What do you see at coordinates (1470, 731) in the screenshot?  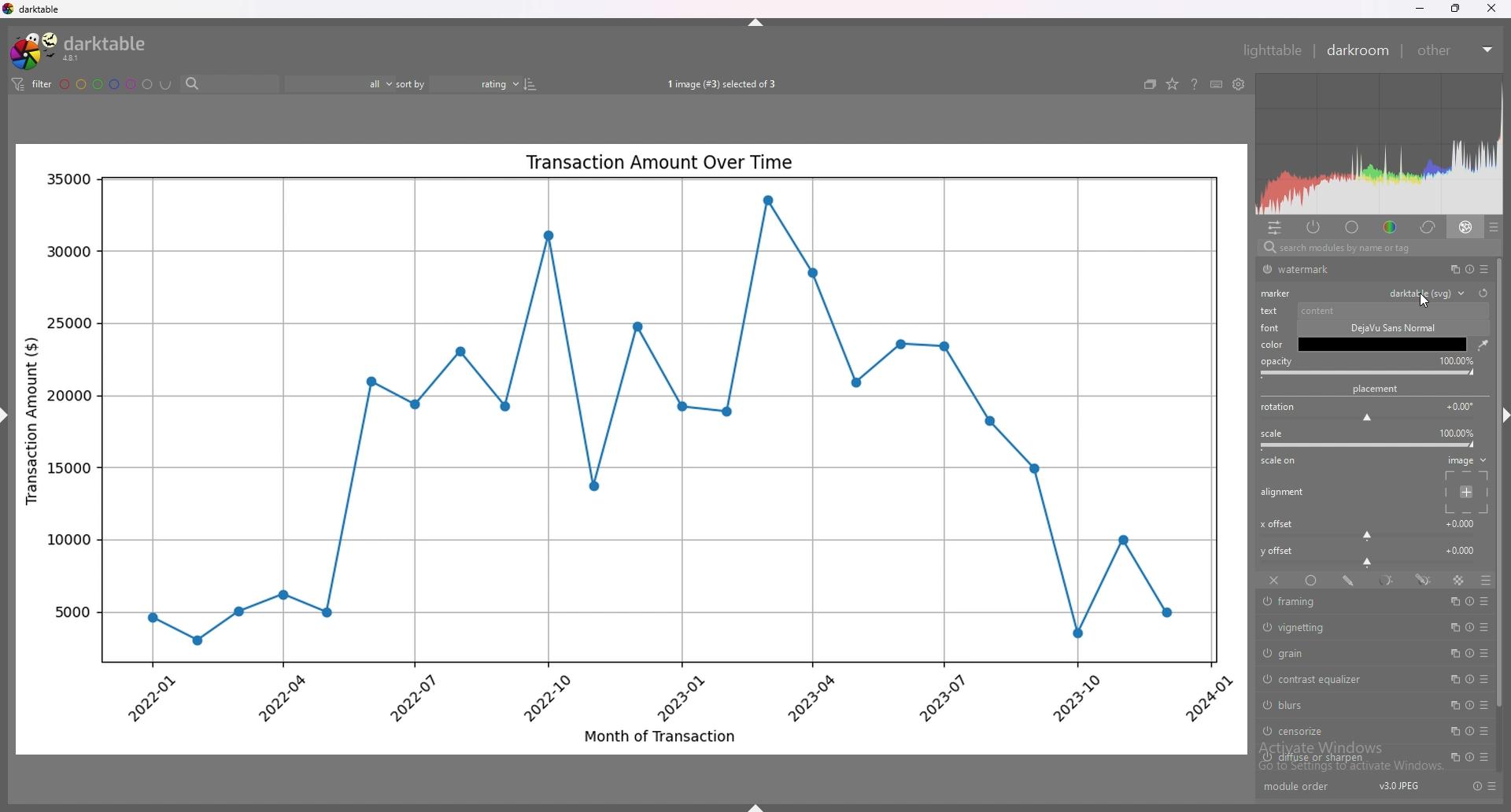 I see `reset` at bounding box center [1470, 731].